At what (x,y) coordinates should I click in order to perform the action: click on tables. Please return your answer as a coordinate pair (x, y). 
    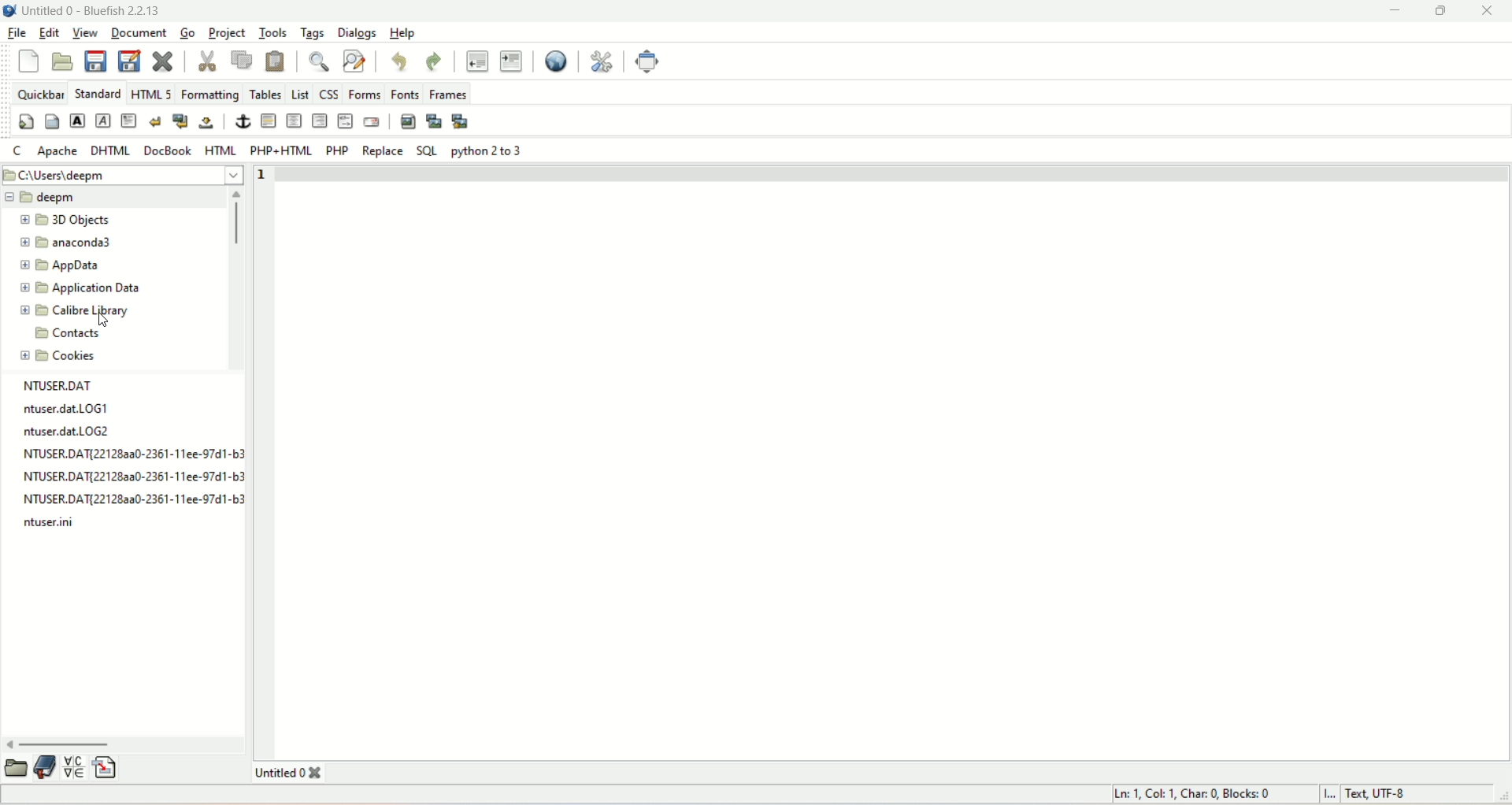
    Looking at the image, I should click on (265, 93).